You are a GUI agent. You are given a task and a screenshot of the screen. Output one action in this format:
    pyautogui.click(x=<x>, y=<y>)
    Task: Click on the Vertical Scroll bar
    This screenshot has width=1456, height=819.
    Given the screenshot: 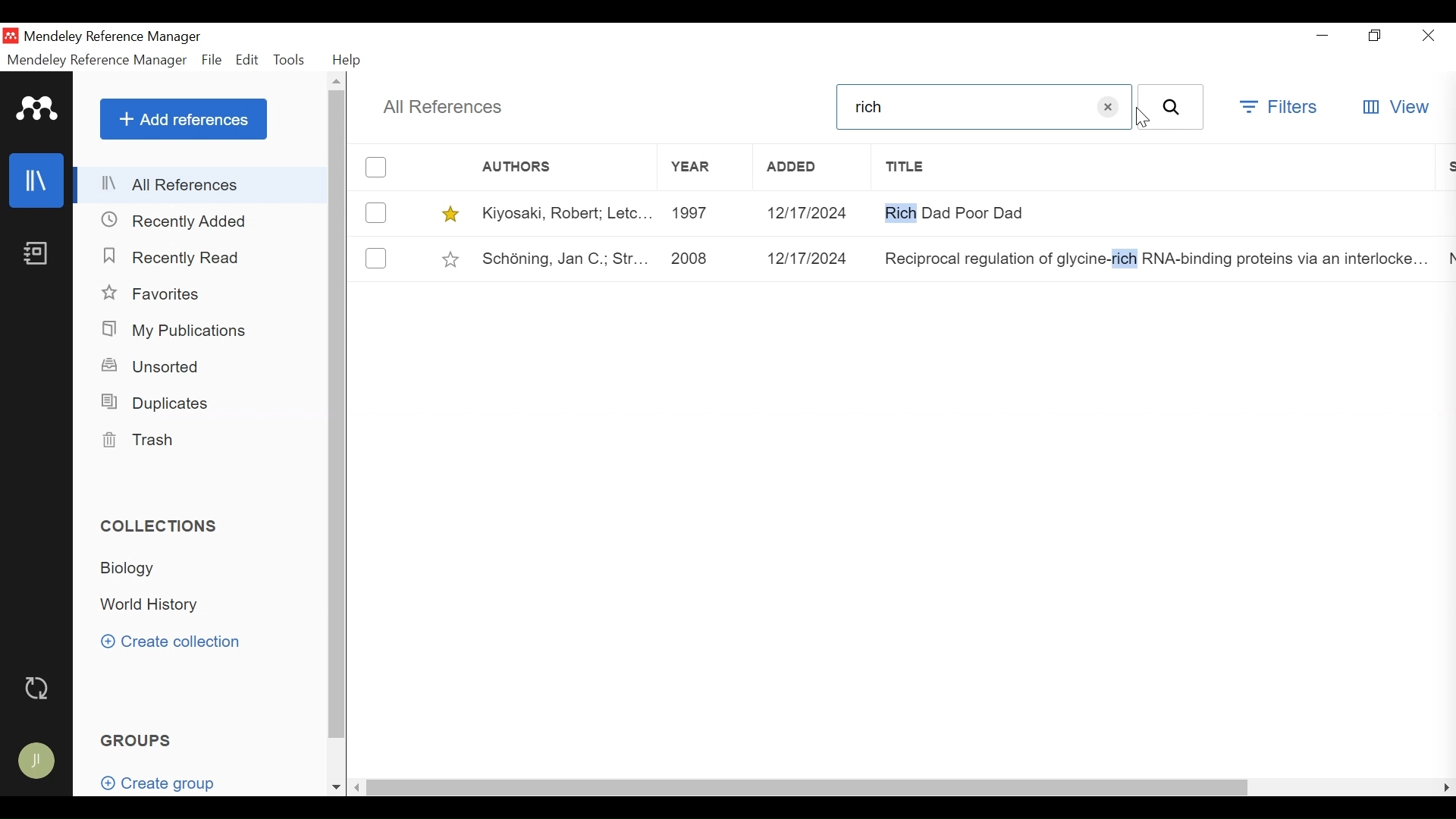 What is the action you would take?
    pyautogui.click(x=336, y=415)
    